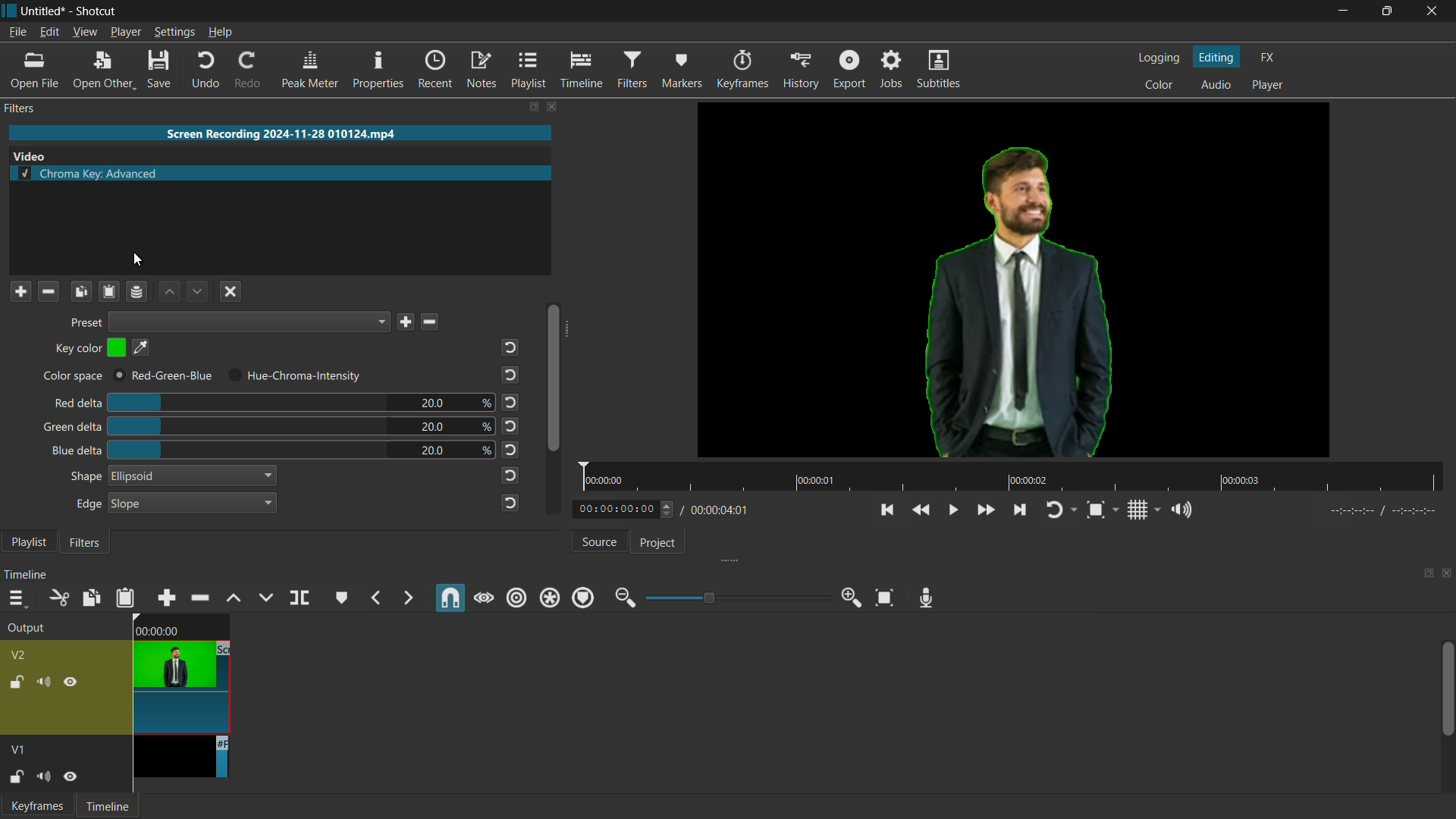 The height and width of the screenshot is (819, 1456). What do you see at coordinates (532, 106) in the screenshot?
I see `change layout` at bounding box center [532, 106].